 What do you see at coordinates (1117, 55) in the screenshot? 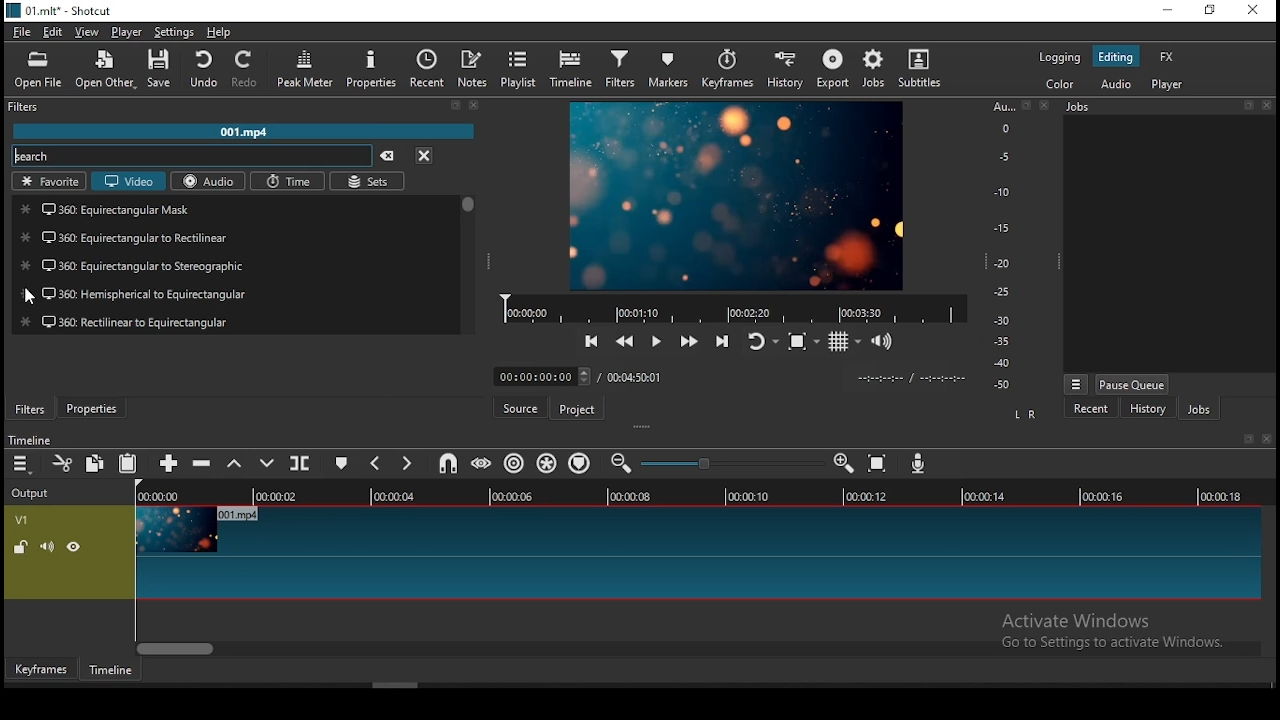
I see `editing` at bounding box center [1117, 55].